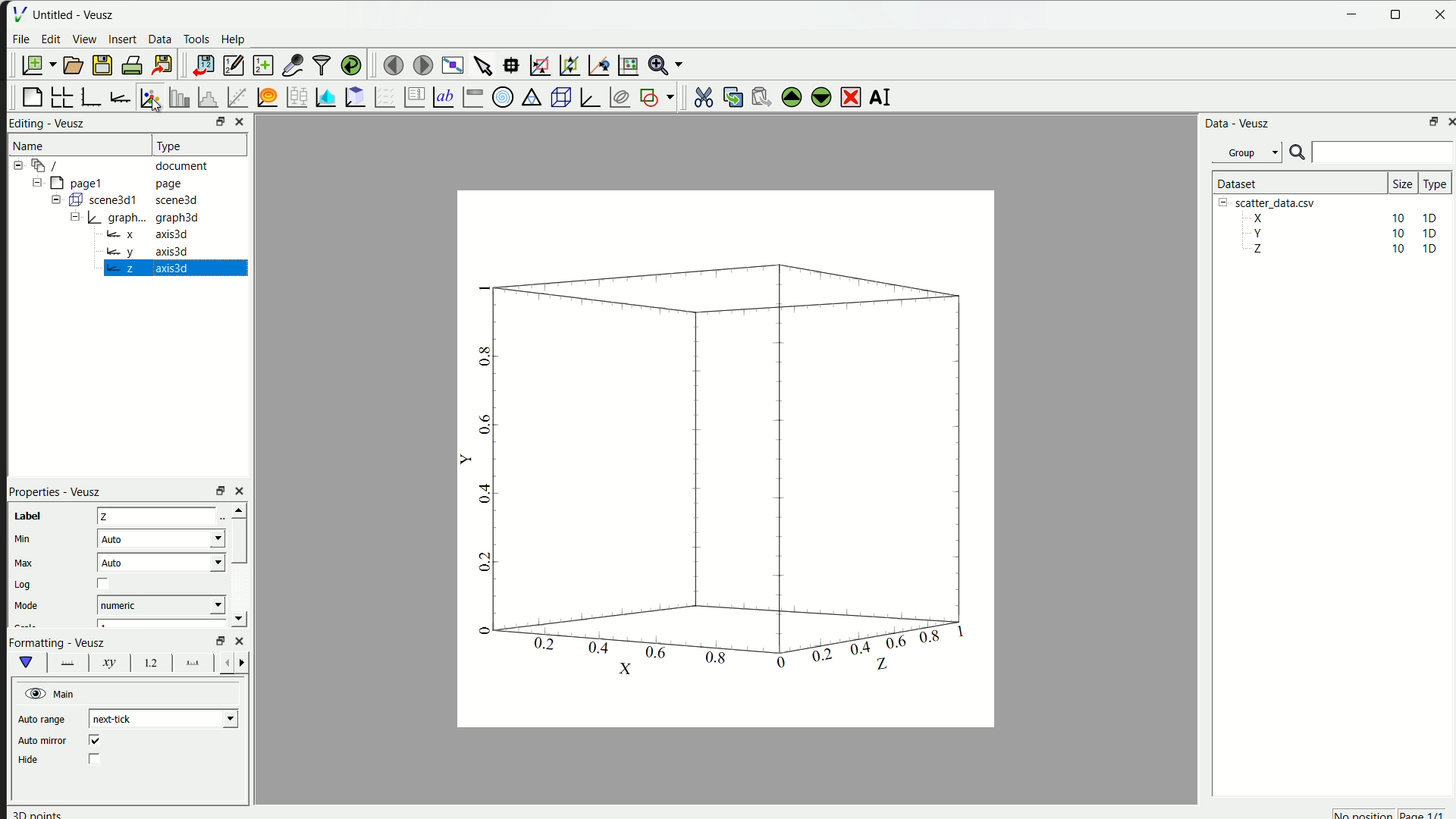 This screenshot has height=819, width=1456. I want to click on copy the widget, so click(730, 97).